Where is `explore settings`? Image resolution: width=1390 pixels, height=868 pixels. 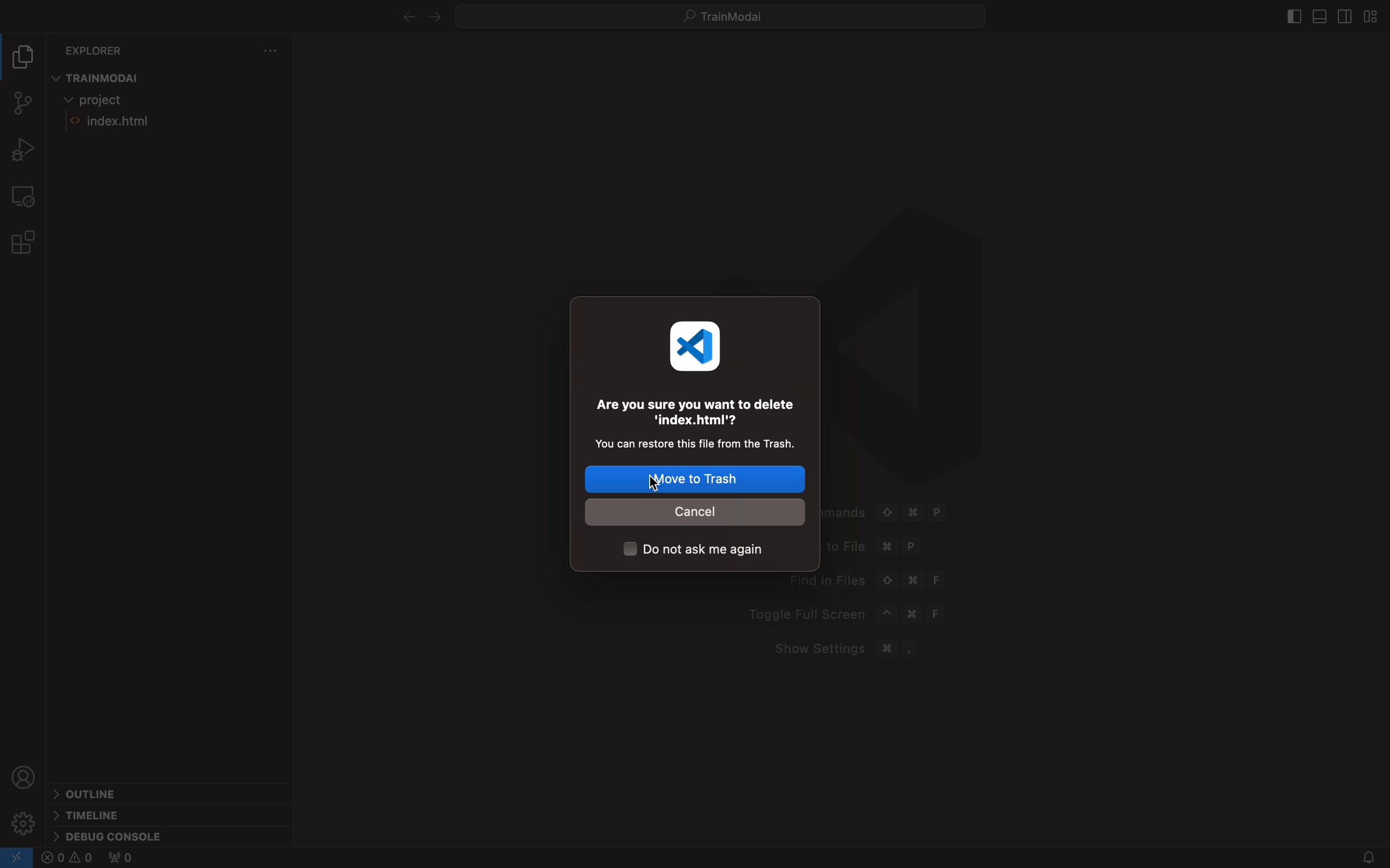 explore settings is located at coordinates (266, 52).